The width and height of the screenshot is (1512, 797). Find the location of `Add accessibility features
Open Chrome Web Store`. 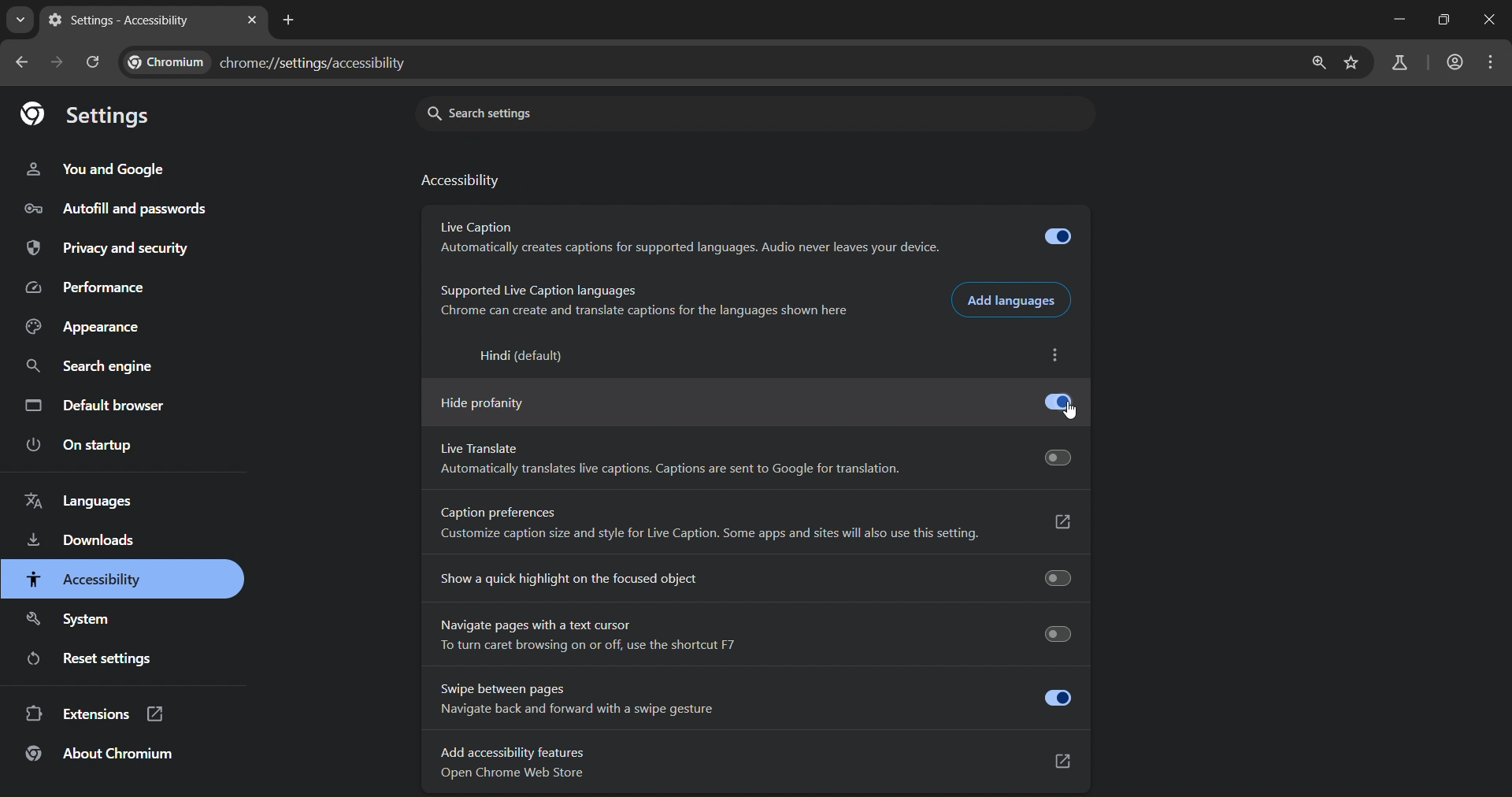

Add accessibility features
Open Chrome Web Store is located at coordinates (754, 763).